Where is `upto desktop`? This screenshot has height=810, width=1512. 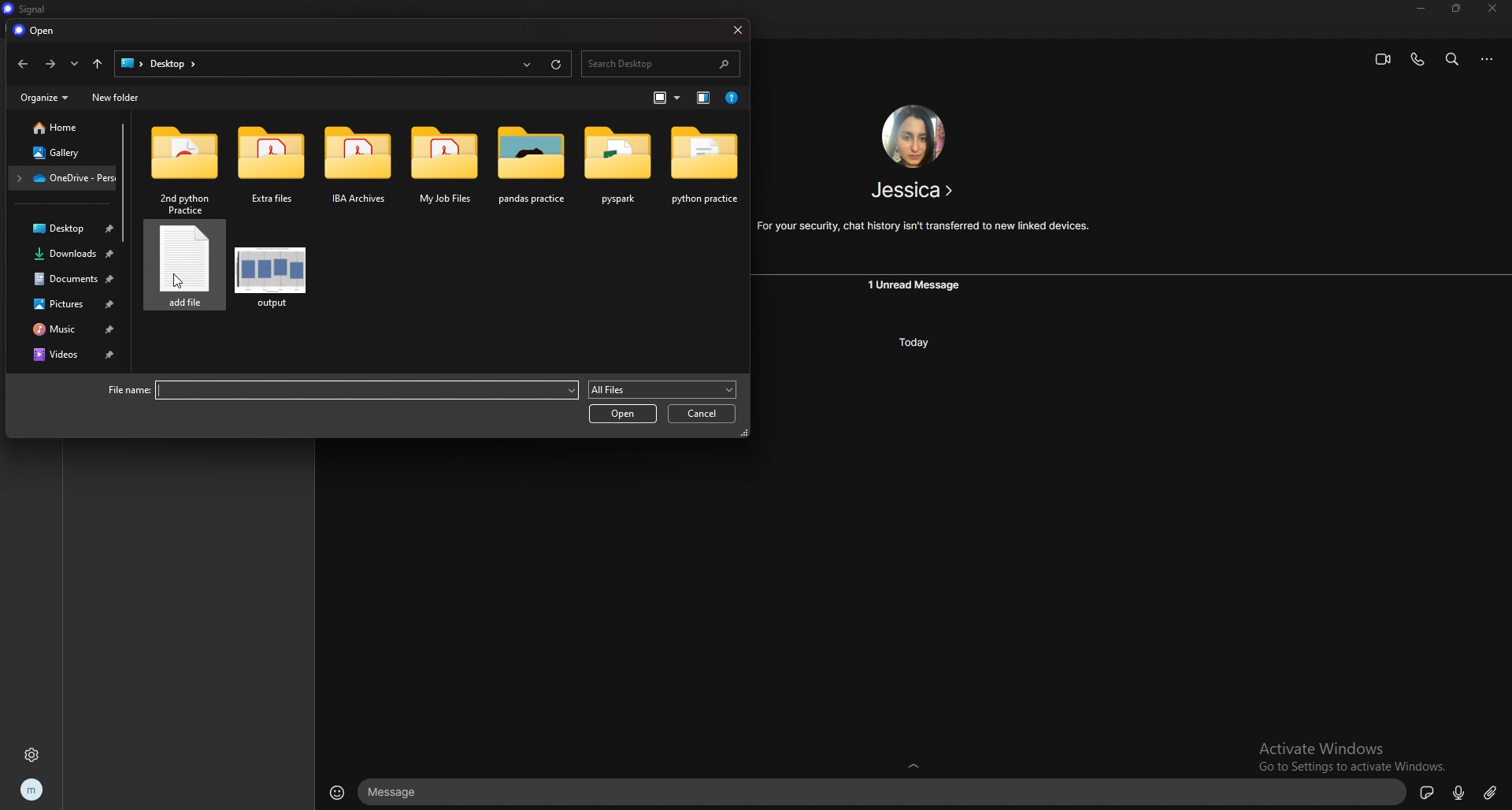 upto desktop is located at coordinates (98, 64).